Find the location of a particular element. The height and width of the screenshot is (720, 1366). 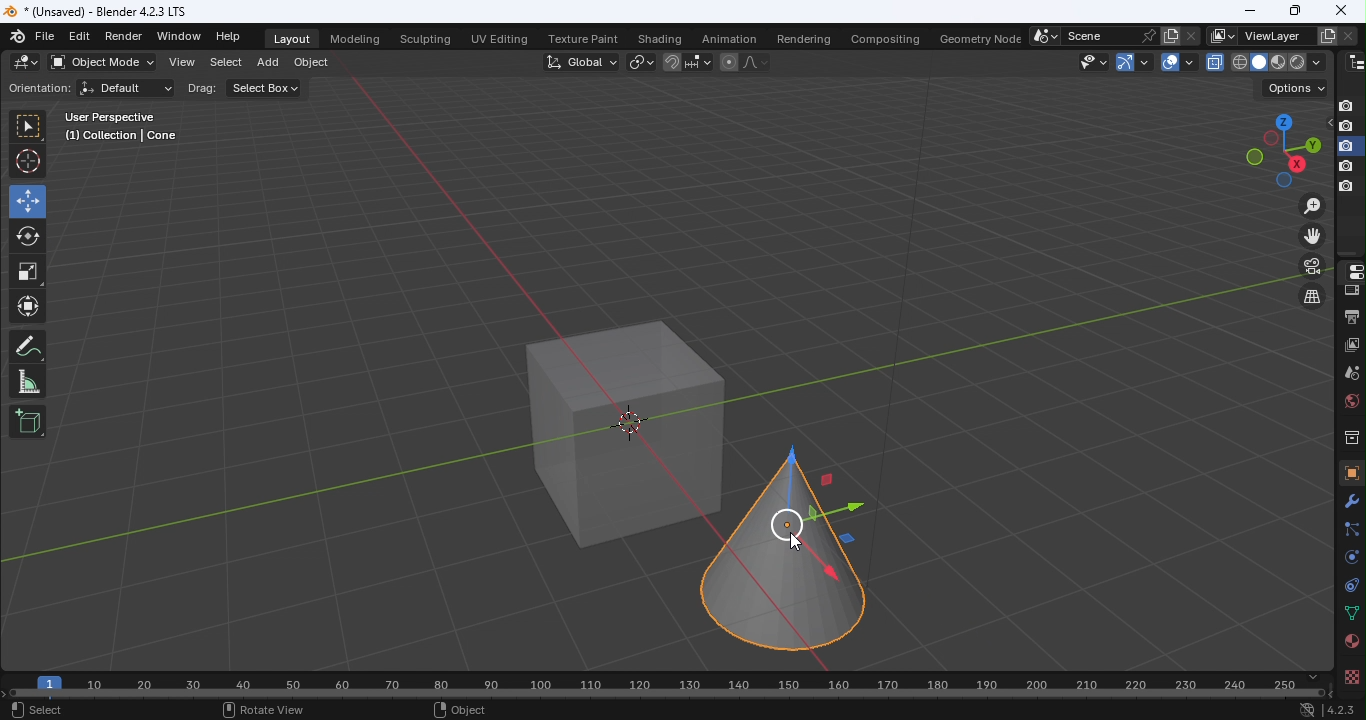

Add is located at coordinates (268, 65).